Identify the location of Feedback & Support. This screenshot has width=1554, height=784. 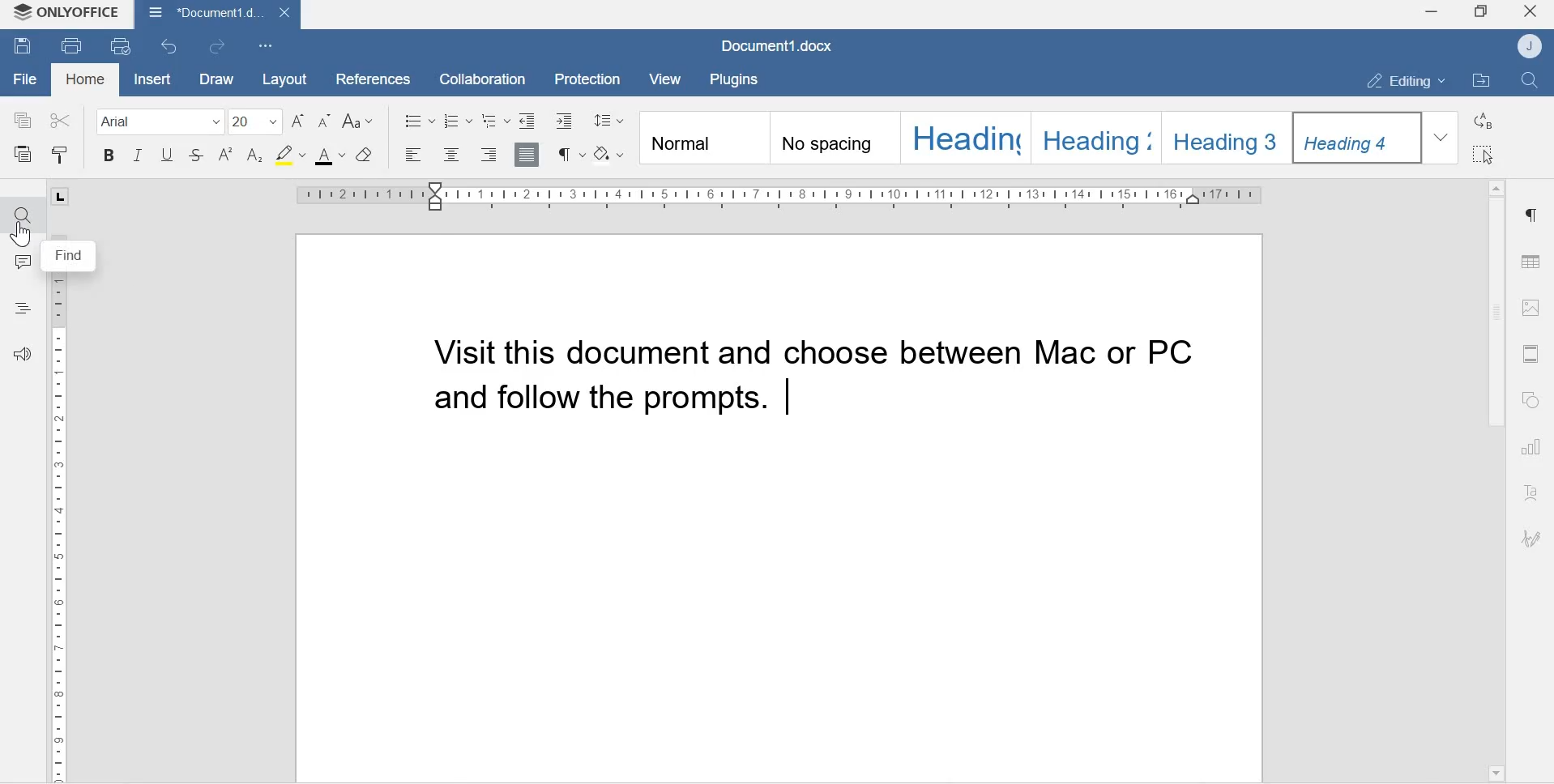
(27, 360).